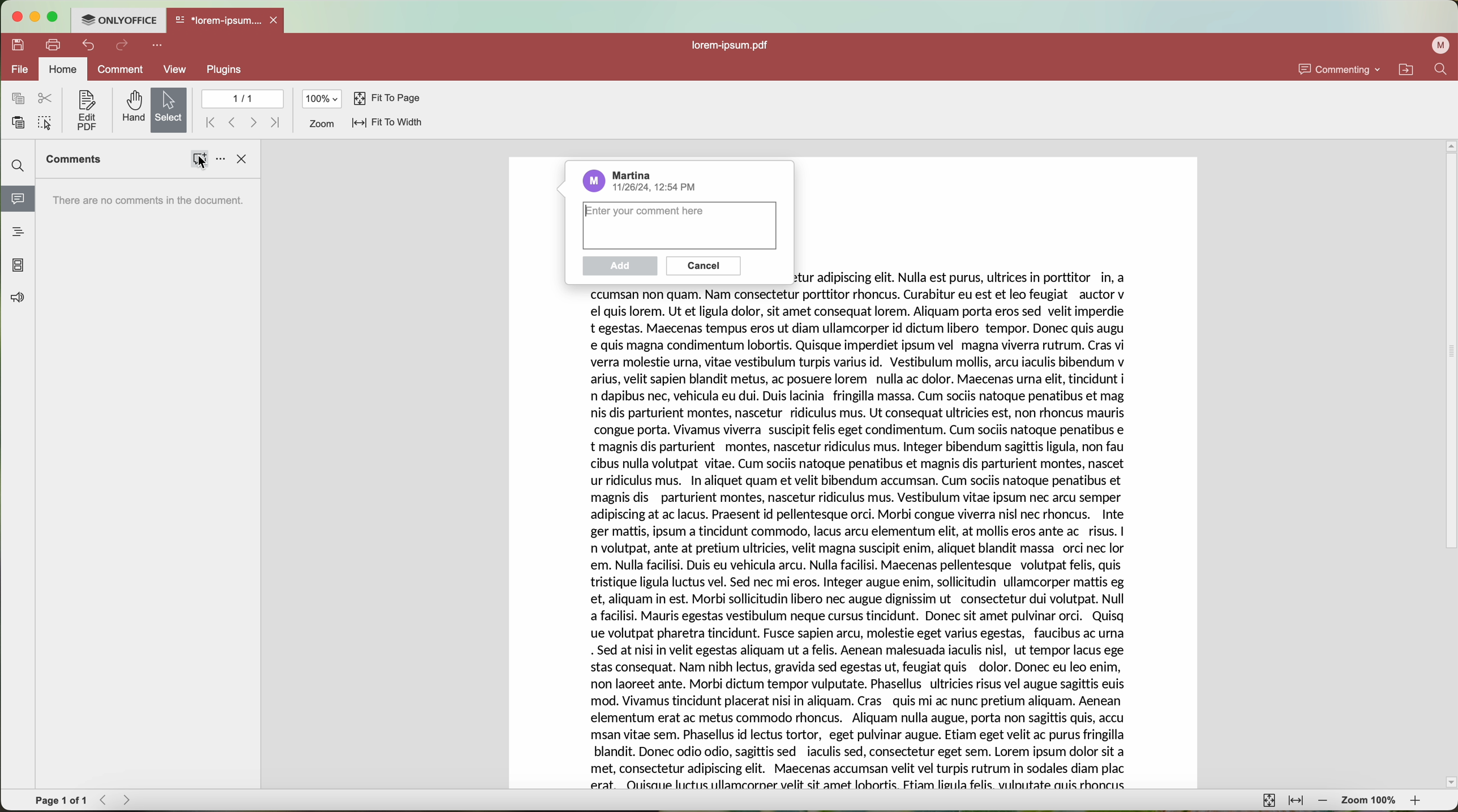 This screenshot has width=1458, height=812. I want to click on page 1 of 1, so click(61, 799).